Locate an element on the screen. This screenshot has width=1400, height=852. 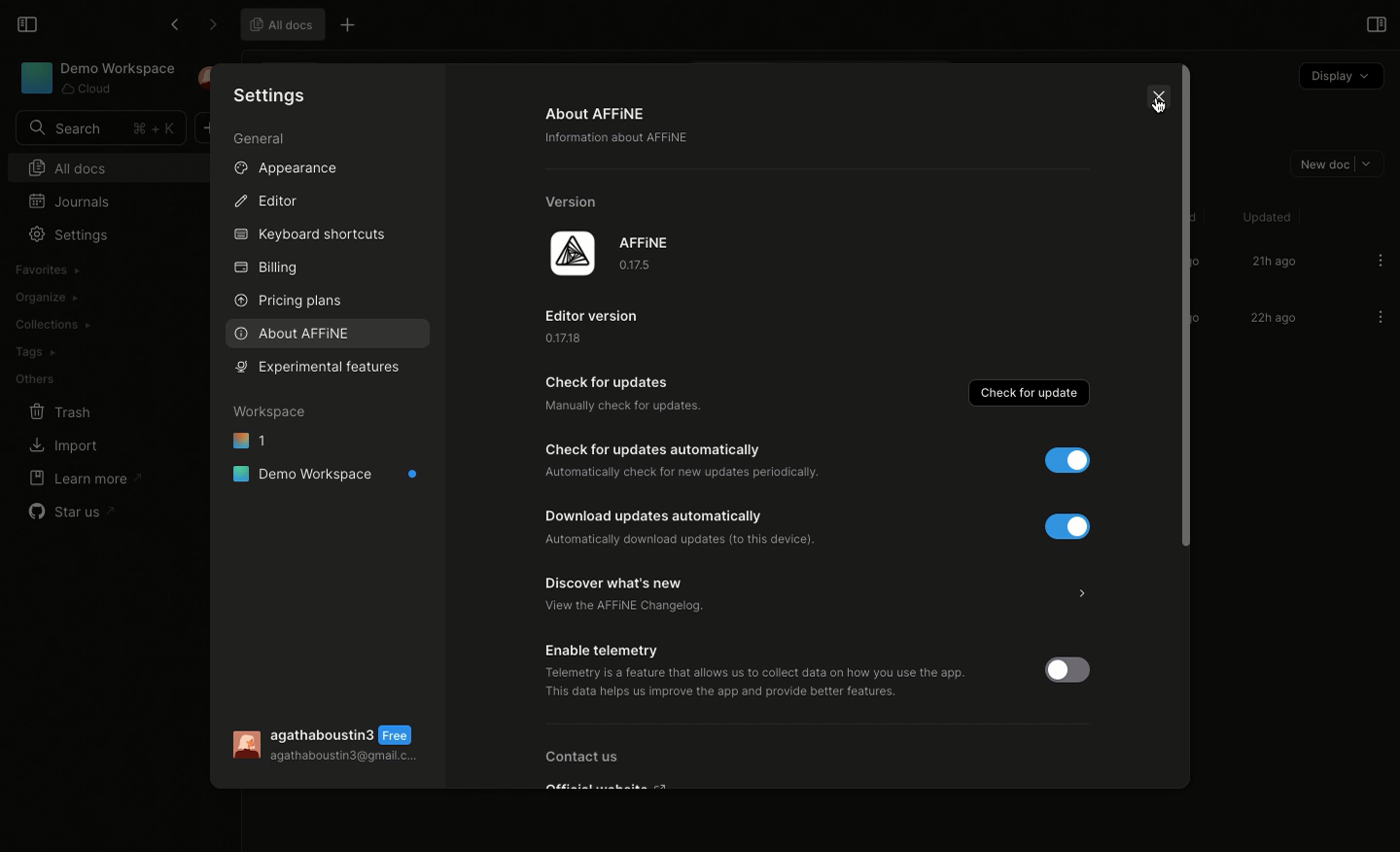
Updated is located at coordinates (1264, 217).